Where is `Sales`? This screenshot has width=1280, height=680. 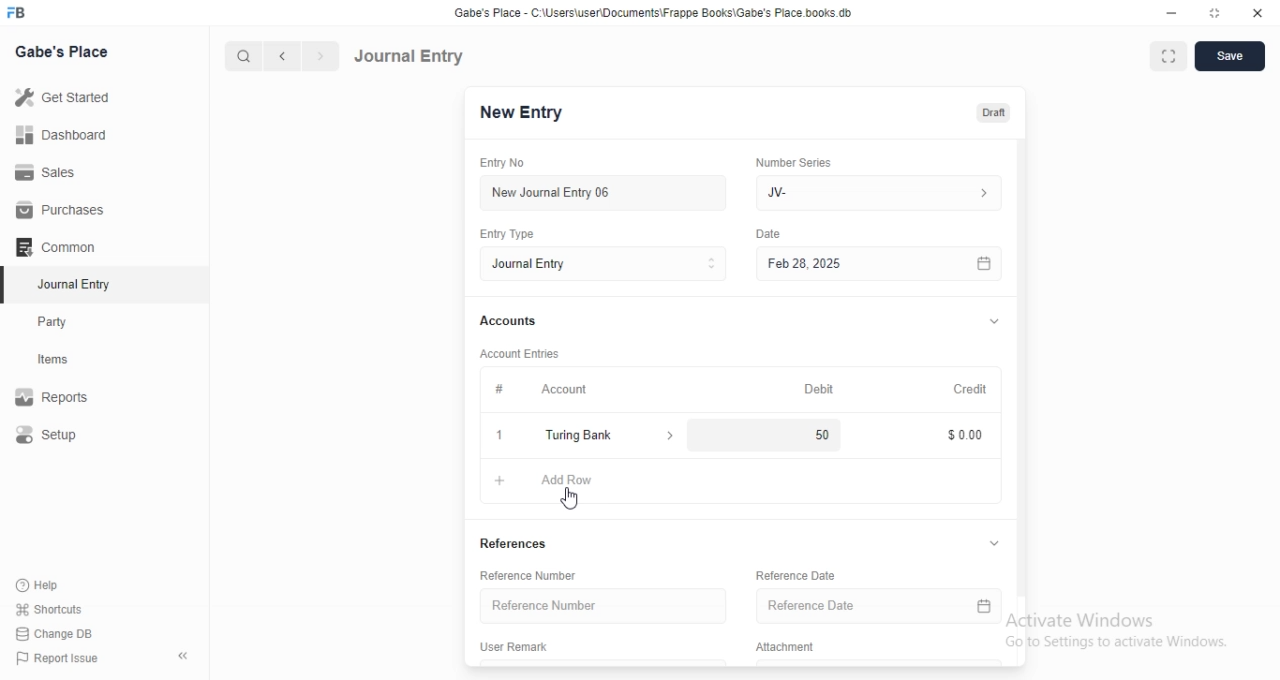
Sales is located at coordinates (64, 171).